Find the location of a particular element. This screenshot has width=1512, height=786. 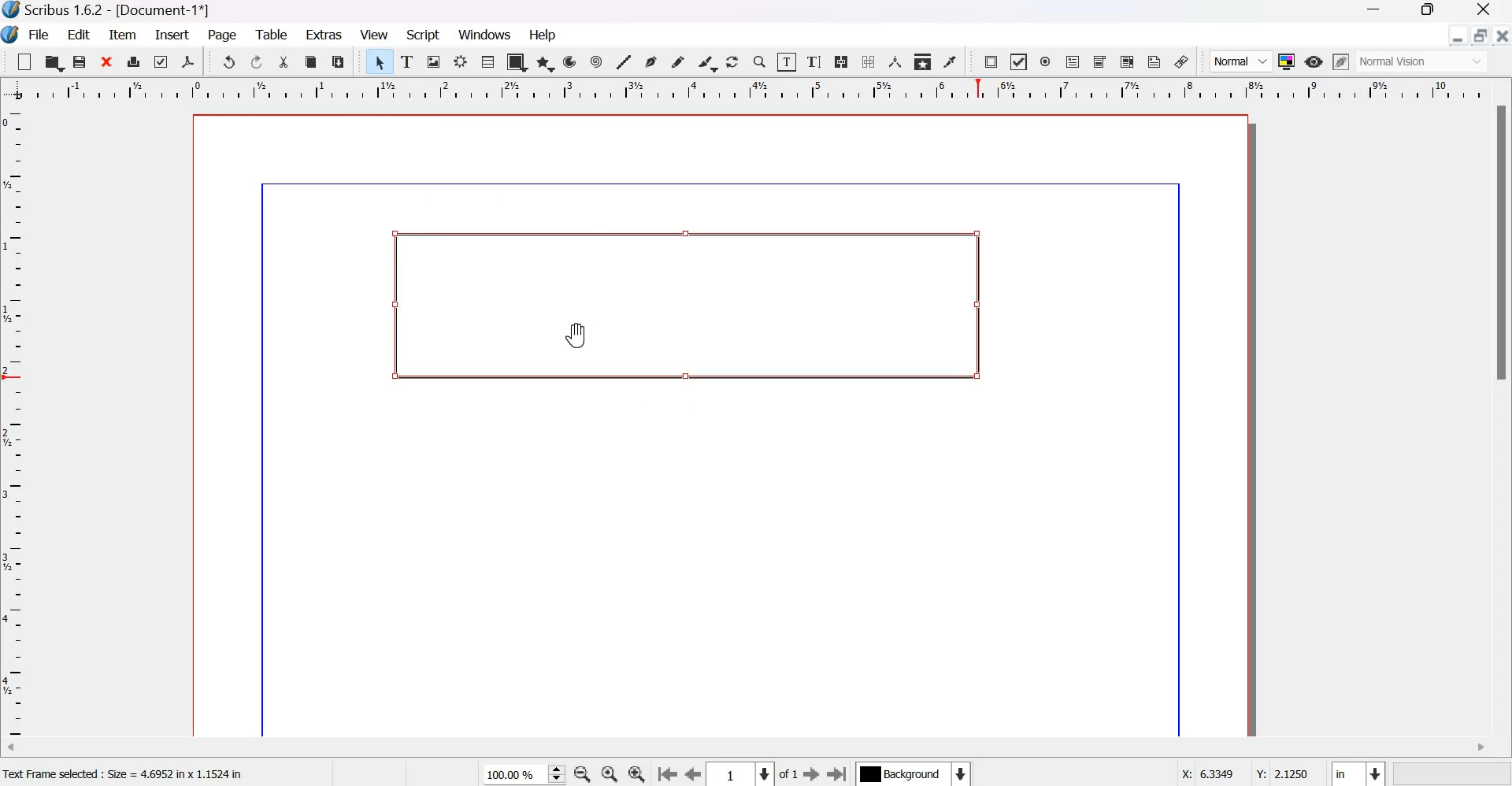

preflight verifier is located at coordinates (158, 61).